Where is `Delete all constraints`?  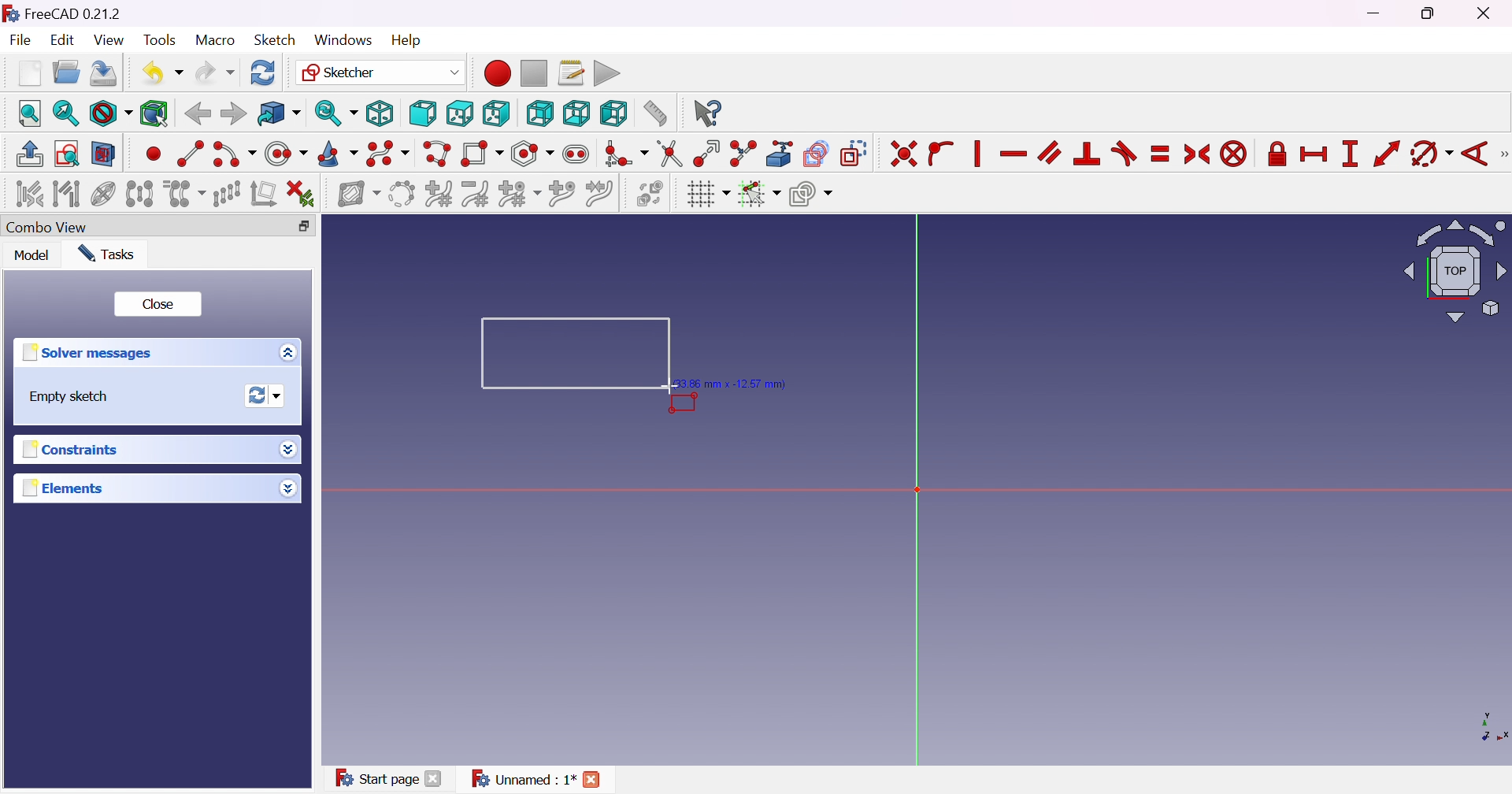
Delete all constraints is located at coordinates (301, 195).